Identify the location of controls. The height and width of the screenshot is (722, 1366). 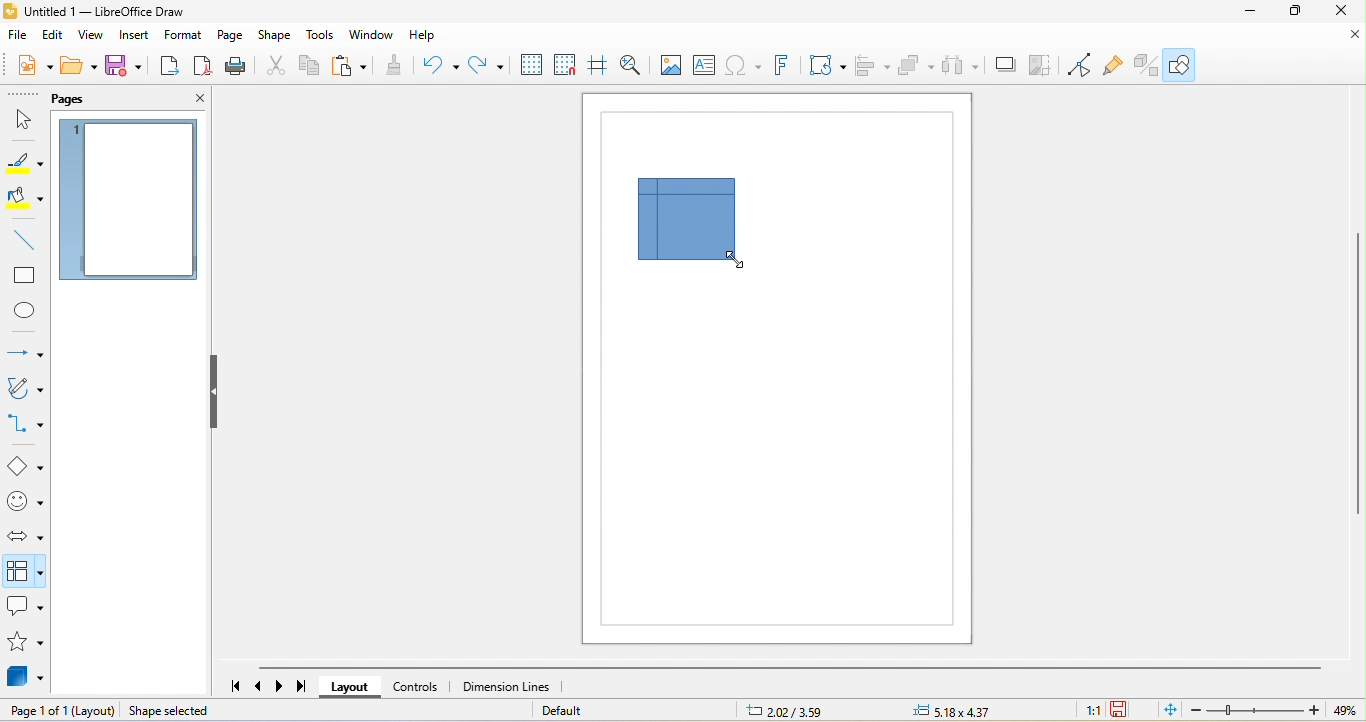
(417, 686).